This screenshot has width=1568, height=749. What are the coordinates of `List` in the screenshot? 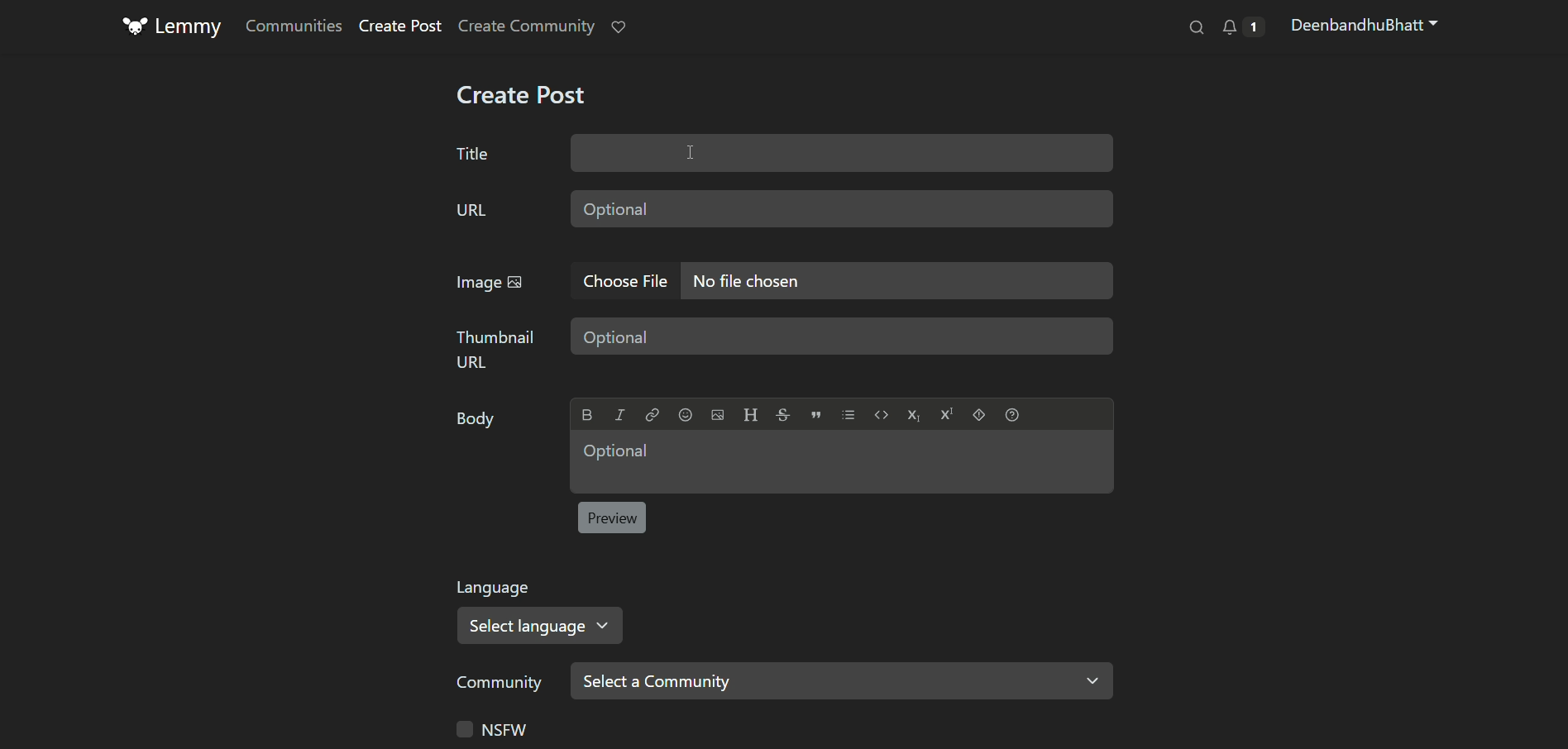 It's located at (849, 414).